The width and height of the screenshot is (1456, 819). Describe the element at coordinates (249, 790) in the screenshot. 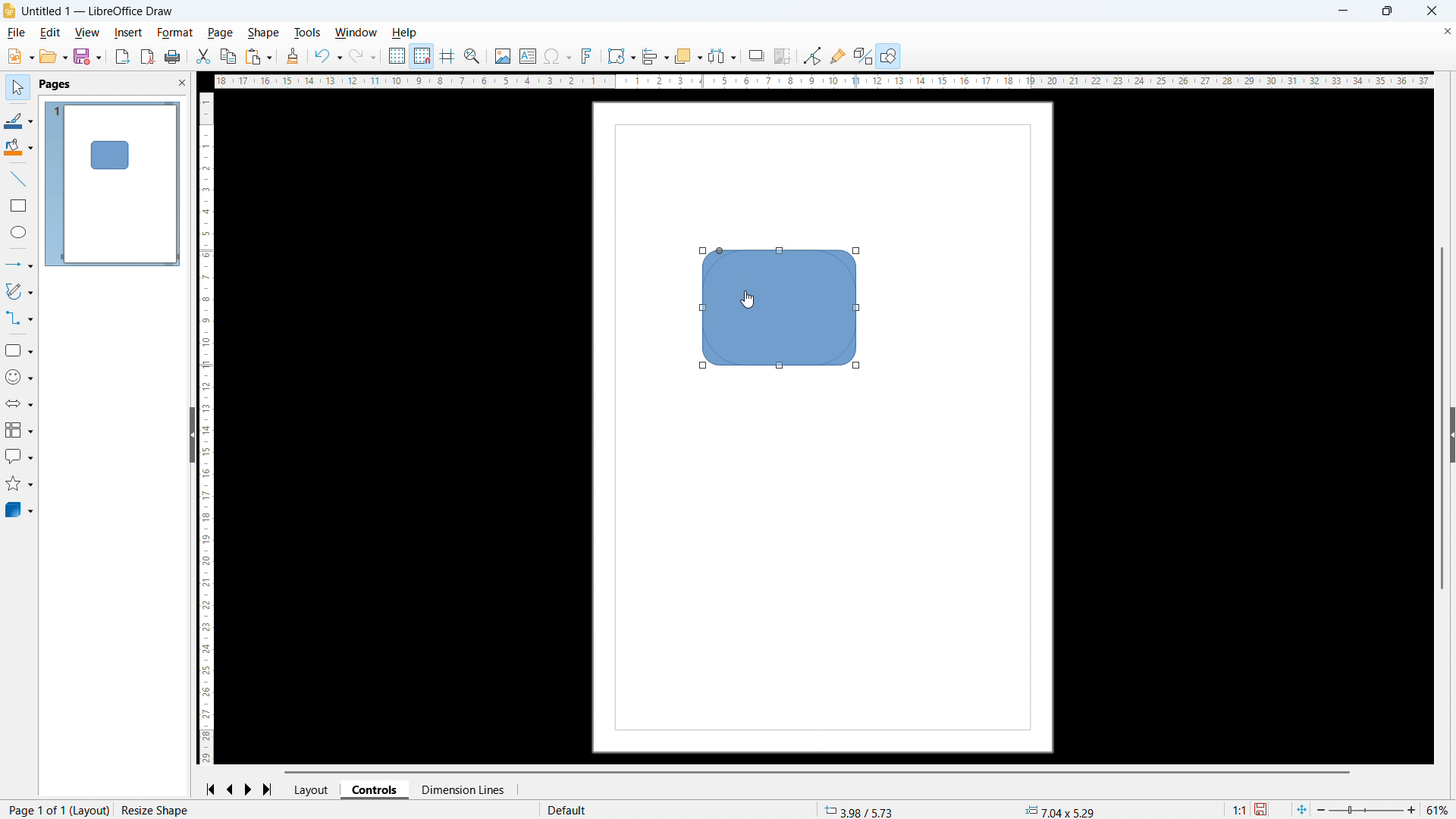

I see `Next page ` at that location.